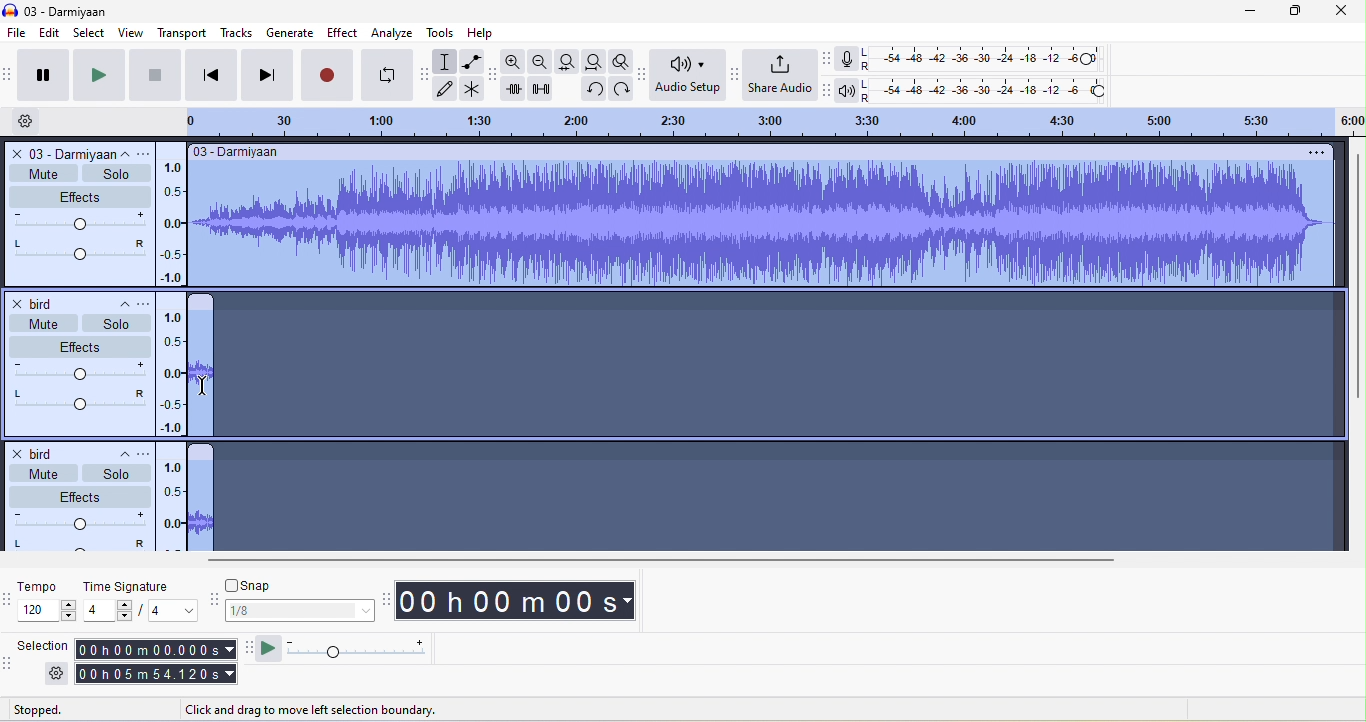  I want to click on open menu, so click(149, 154).